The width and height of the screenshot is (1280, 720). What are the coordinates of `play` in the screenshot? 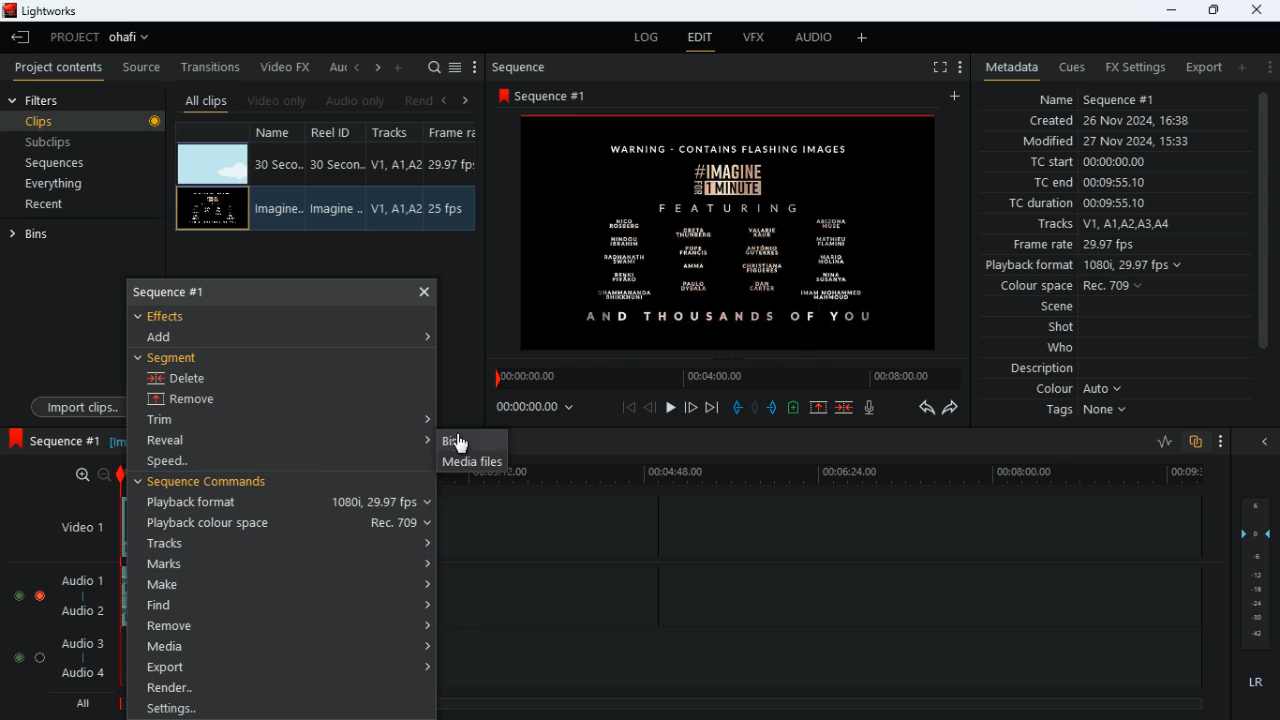 It's located at (672, 406).